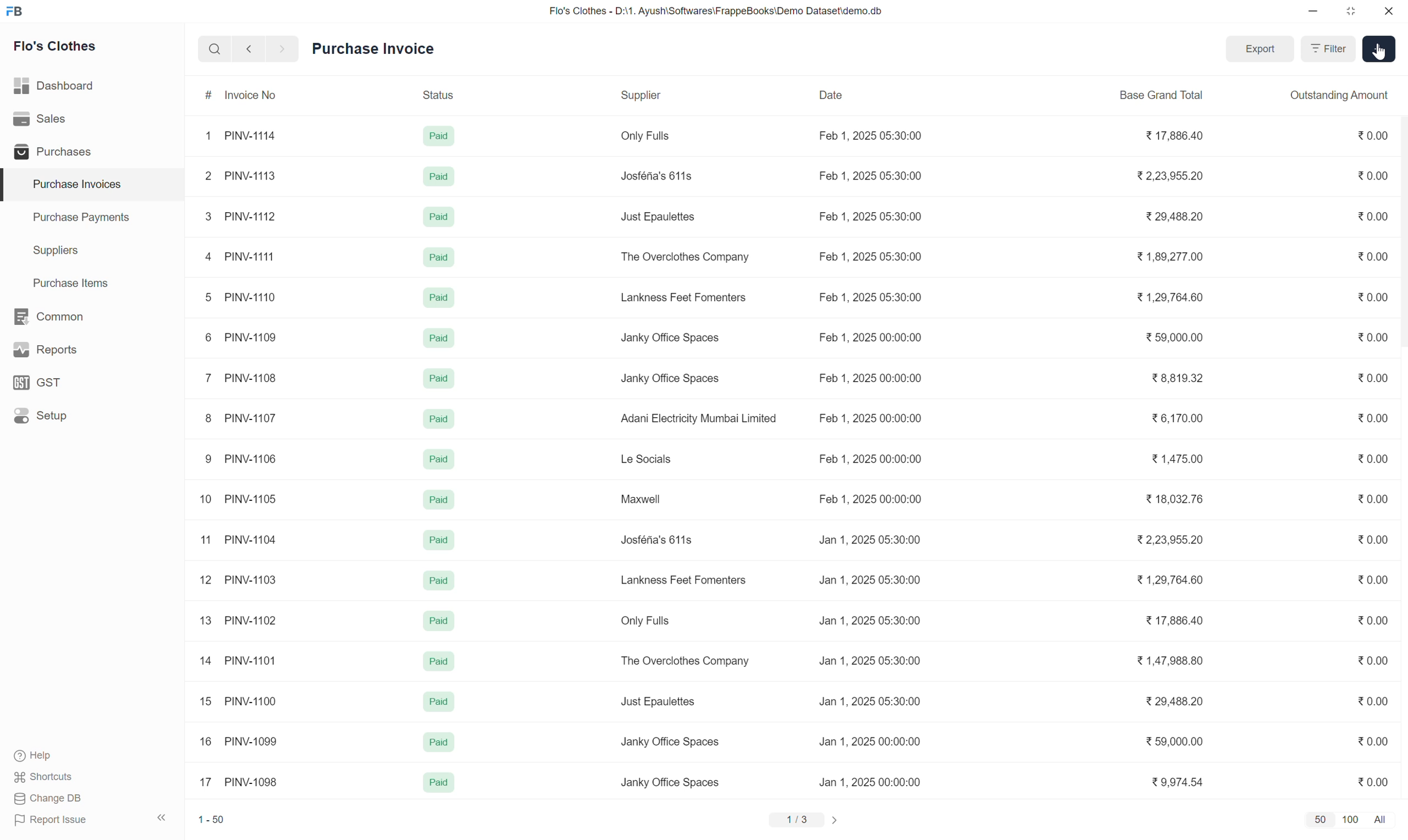 The image size is (1408, 840). Describe the element at coordinates (1175, 338) in the screenshot. I see `59,000.00` at that location.